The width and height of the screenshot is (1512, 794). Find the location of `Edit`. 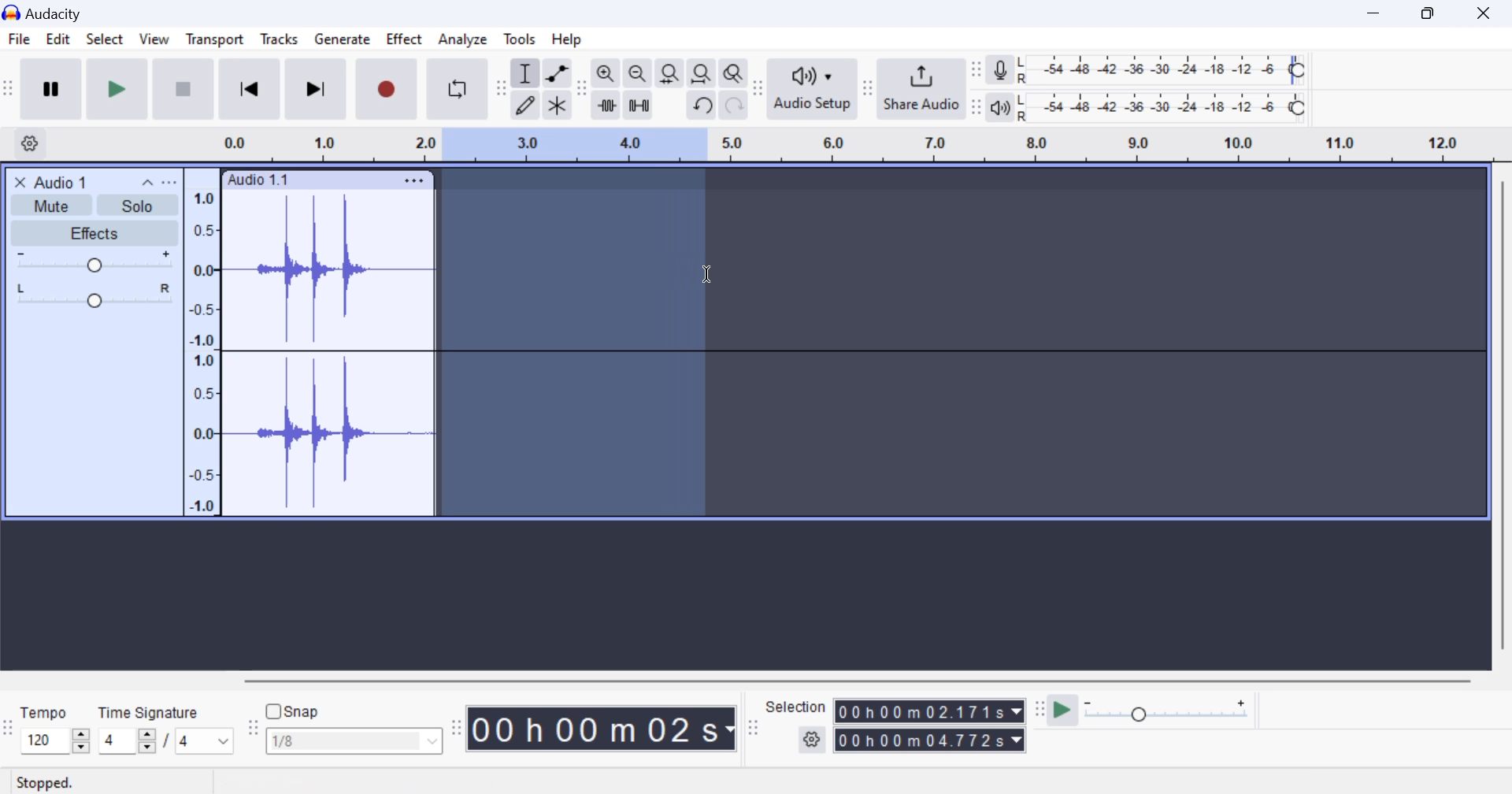

Edit is located at coordinates (57, 42).